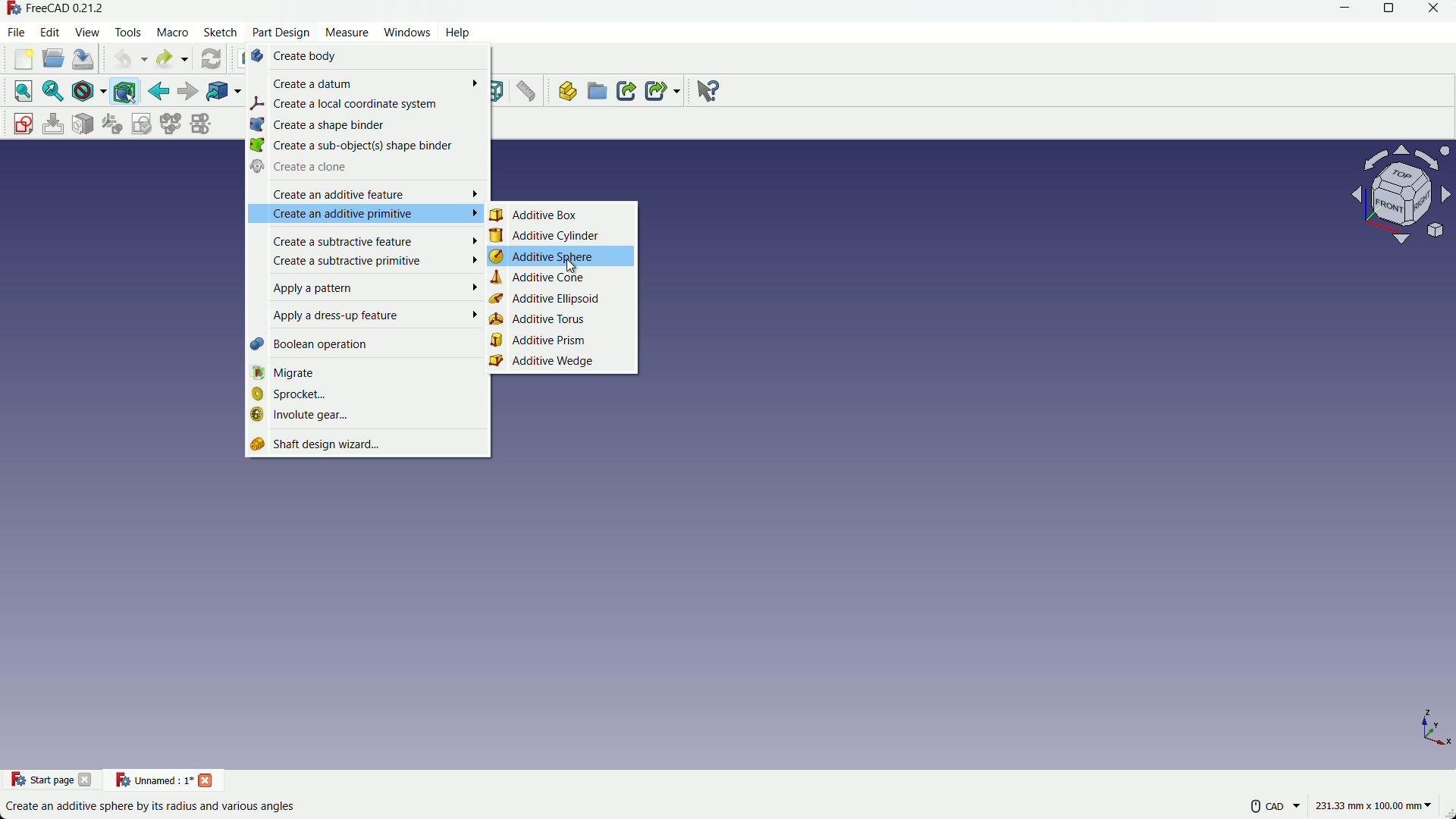  Describe the element at coordinates (366, 169) in the screenshot. I see `create a done` at that location.